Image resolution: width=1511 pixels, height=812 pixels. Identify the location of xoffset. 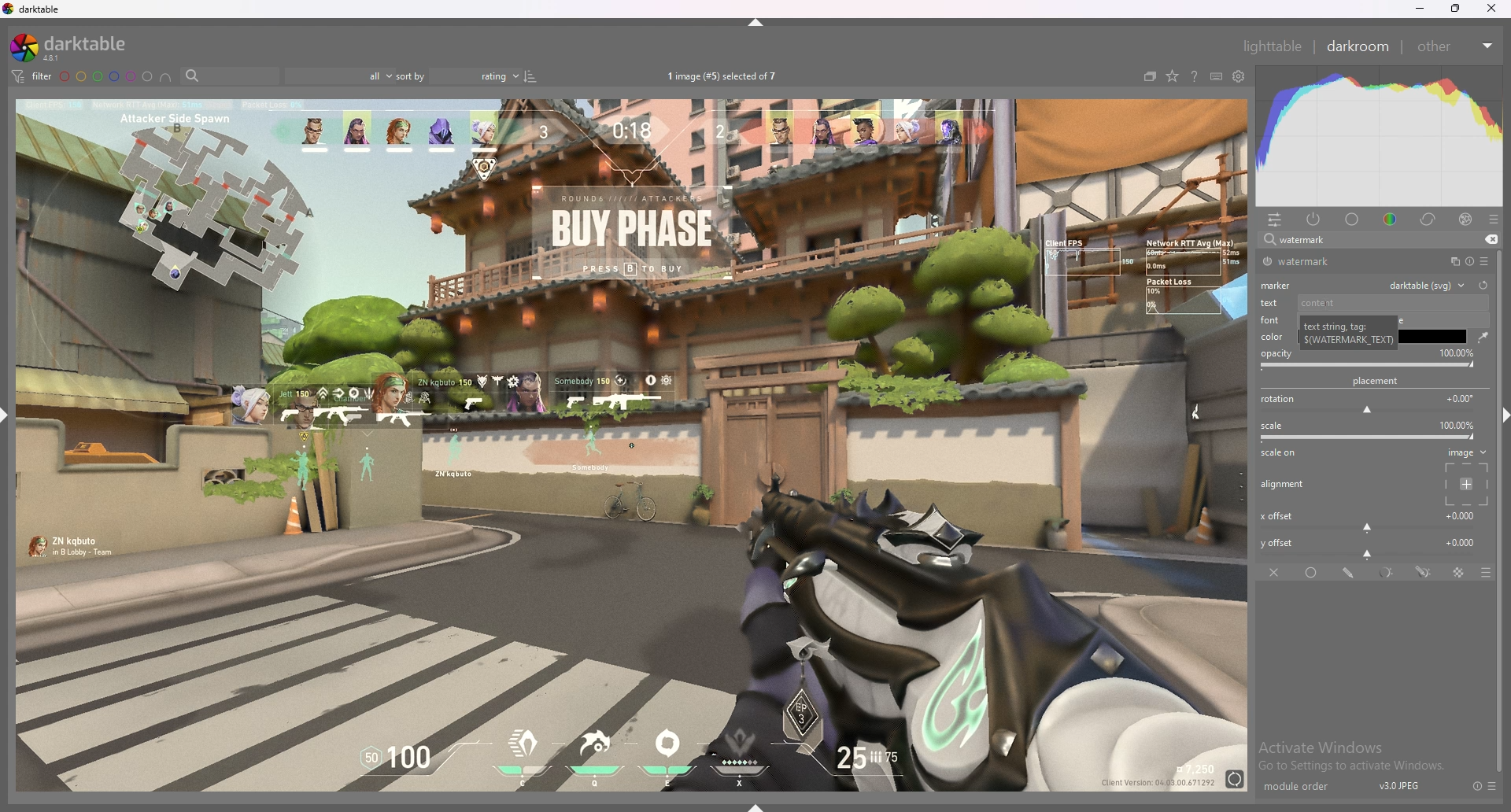
(1369, 519).